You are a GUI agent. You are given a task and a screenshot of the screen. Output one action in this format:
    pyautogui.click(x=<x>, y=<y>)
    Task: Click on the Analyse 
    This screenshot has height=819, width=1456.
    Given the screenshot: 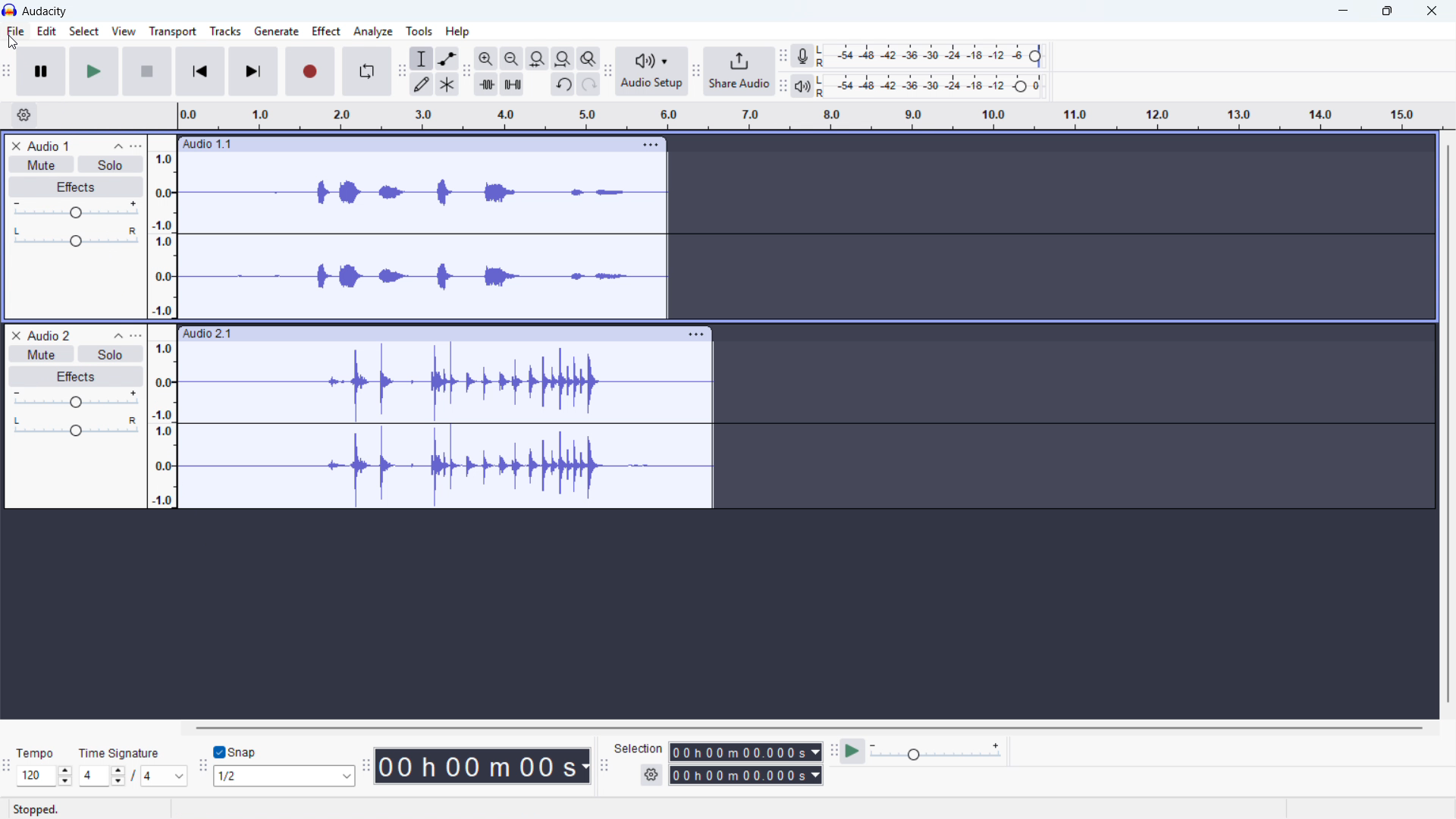 What is the action you would take?
    pyautogui.click(x=372, y=33)
    